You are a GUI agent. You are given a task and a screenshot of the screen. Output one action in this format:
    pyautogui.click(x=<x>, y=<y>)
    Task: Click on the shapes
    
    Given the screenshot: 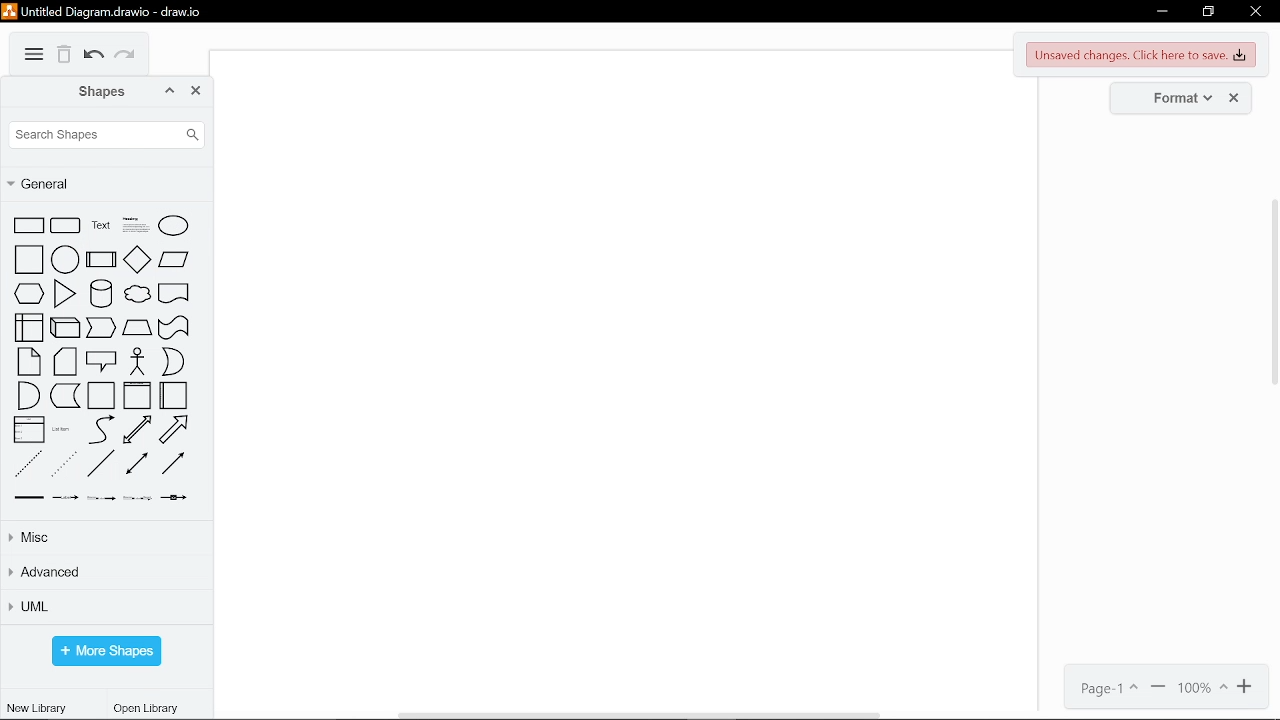 What is the action you would take?
    pyautogui.click(x=91, y=91)
    